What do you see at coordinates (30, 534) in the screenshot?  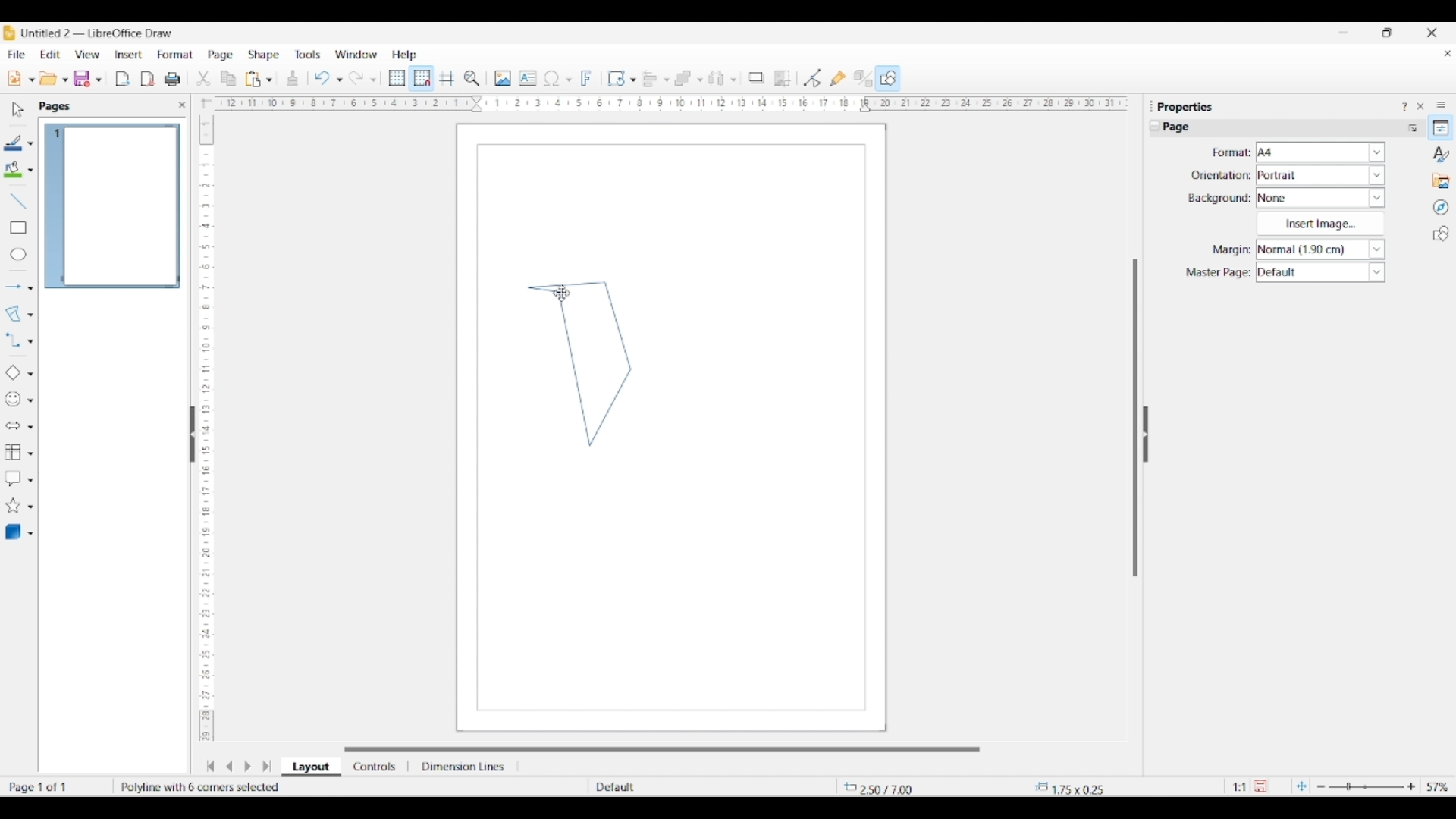 I see `3D shape options` at bounding box center [30, 534].